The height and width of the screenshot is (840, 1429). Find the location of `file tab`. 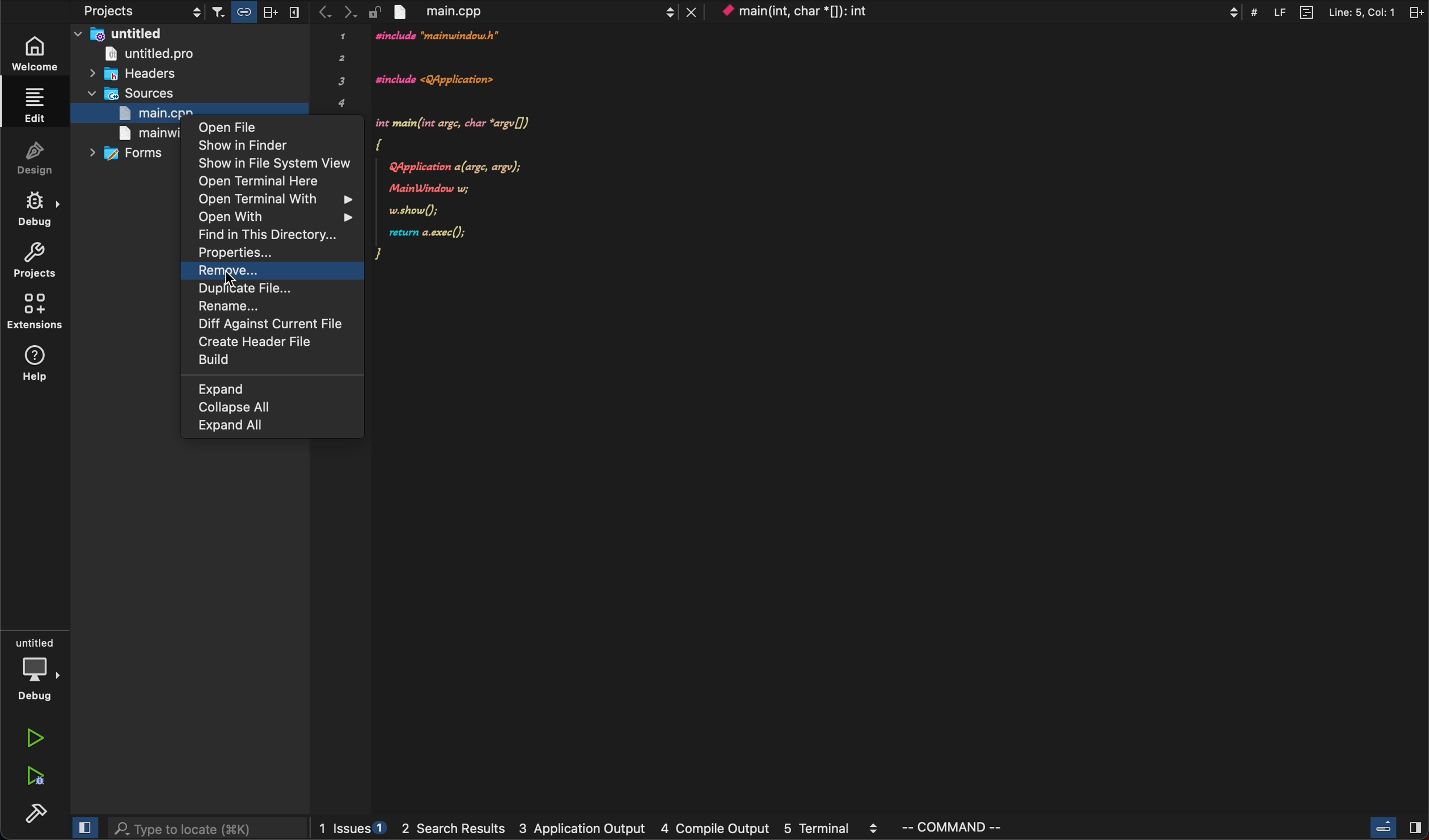

file tab is located at coordinates (536, 12).